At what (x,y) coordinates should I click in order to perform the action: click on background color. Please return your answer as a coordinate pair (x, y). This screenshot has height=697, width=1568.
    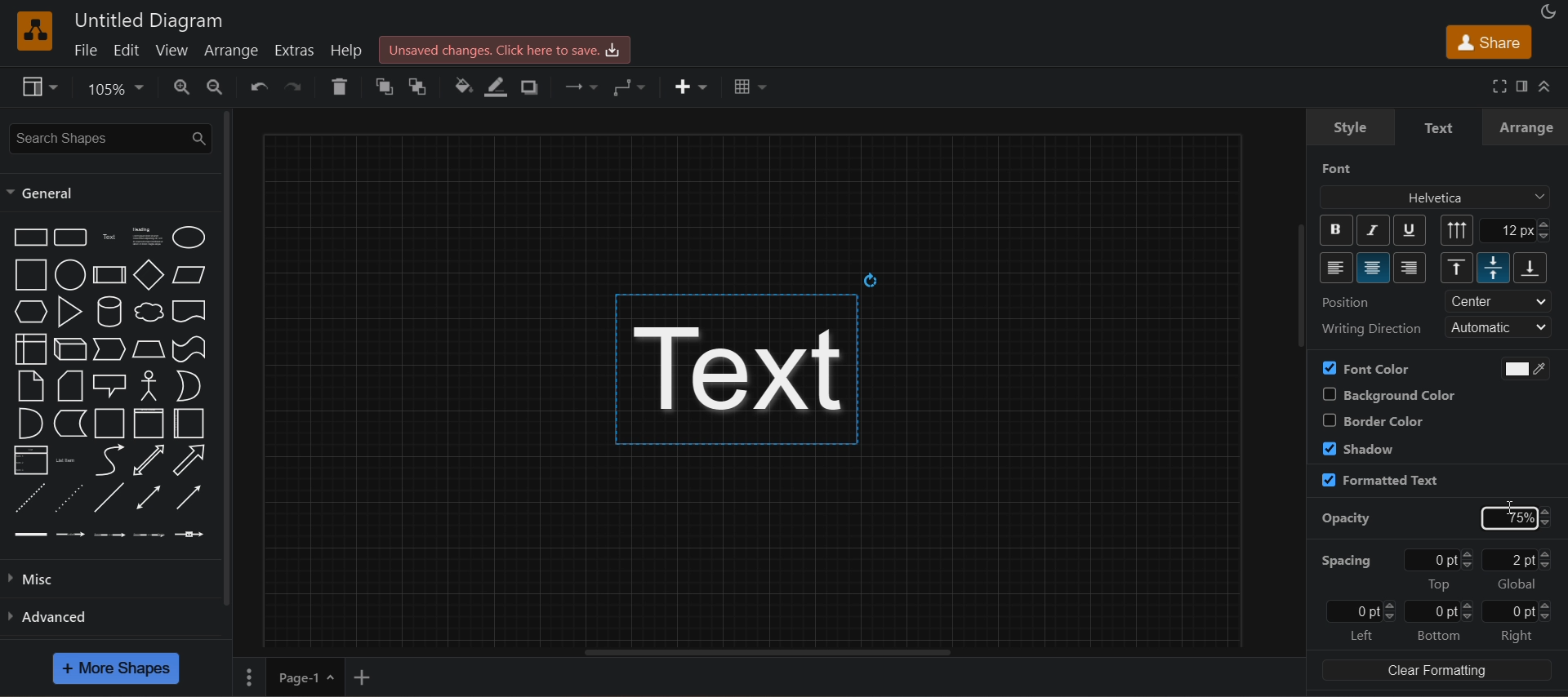
    Looking at the image, I should click on (1386, 394).